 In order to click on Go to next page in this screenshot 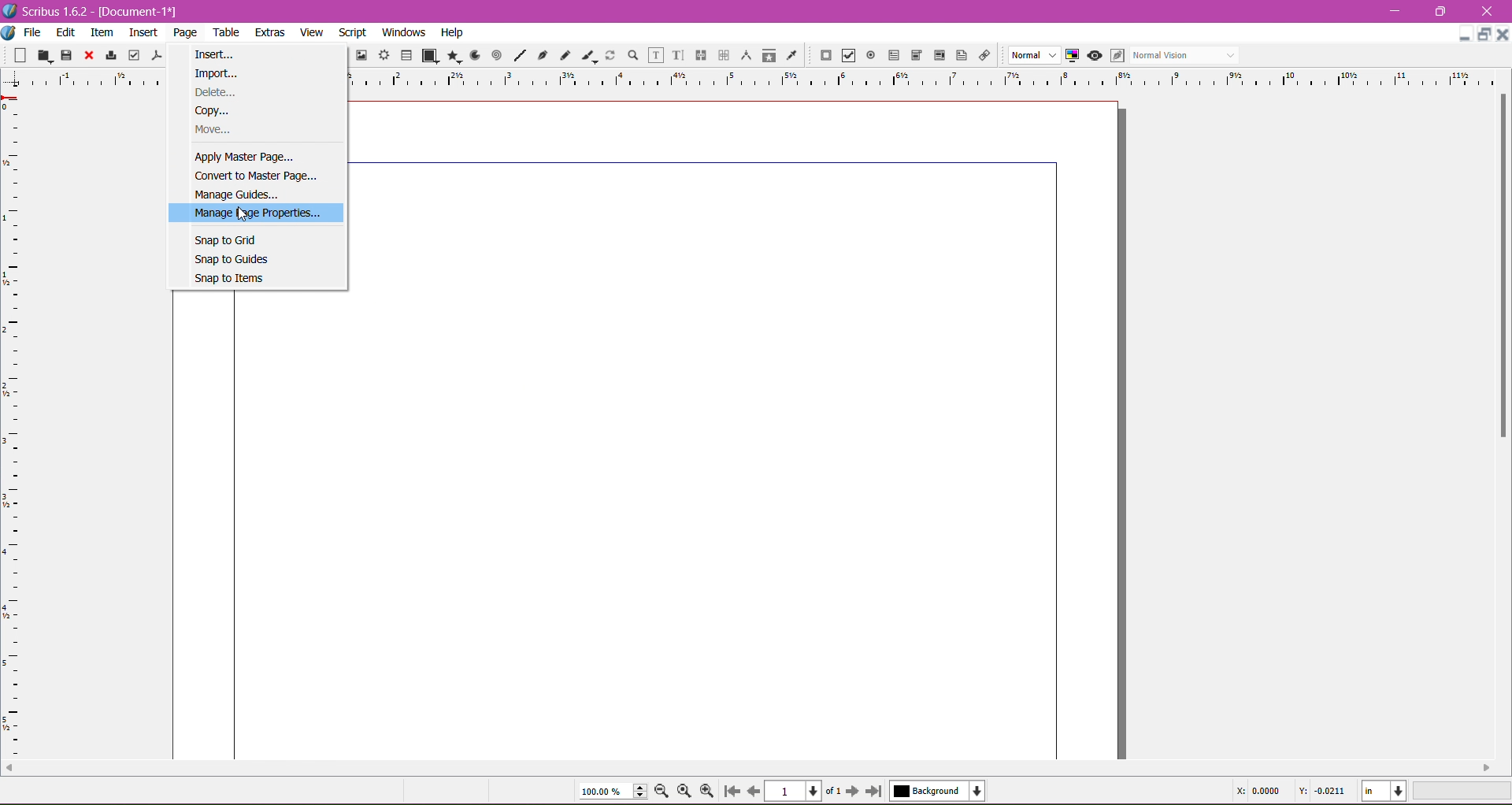, I will do `click(852, 792)`.